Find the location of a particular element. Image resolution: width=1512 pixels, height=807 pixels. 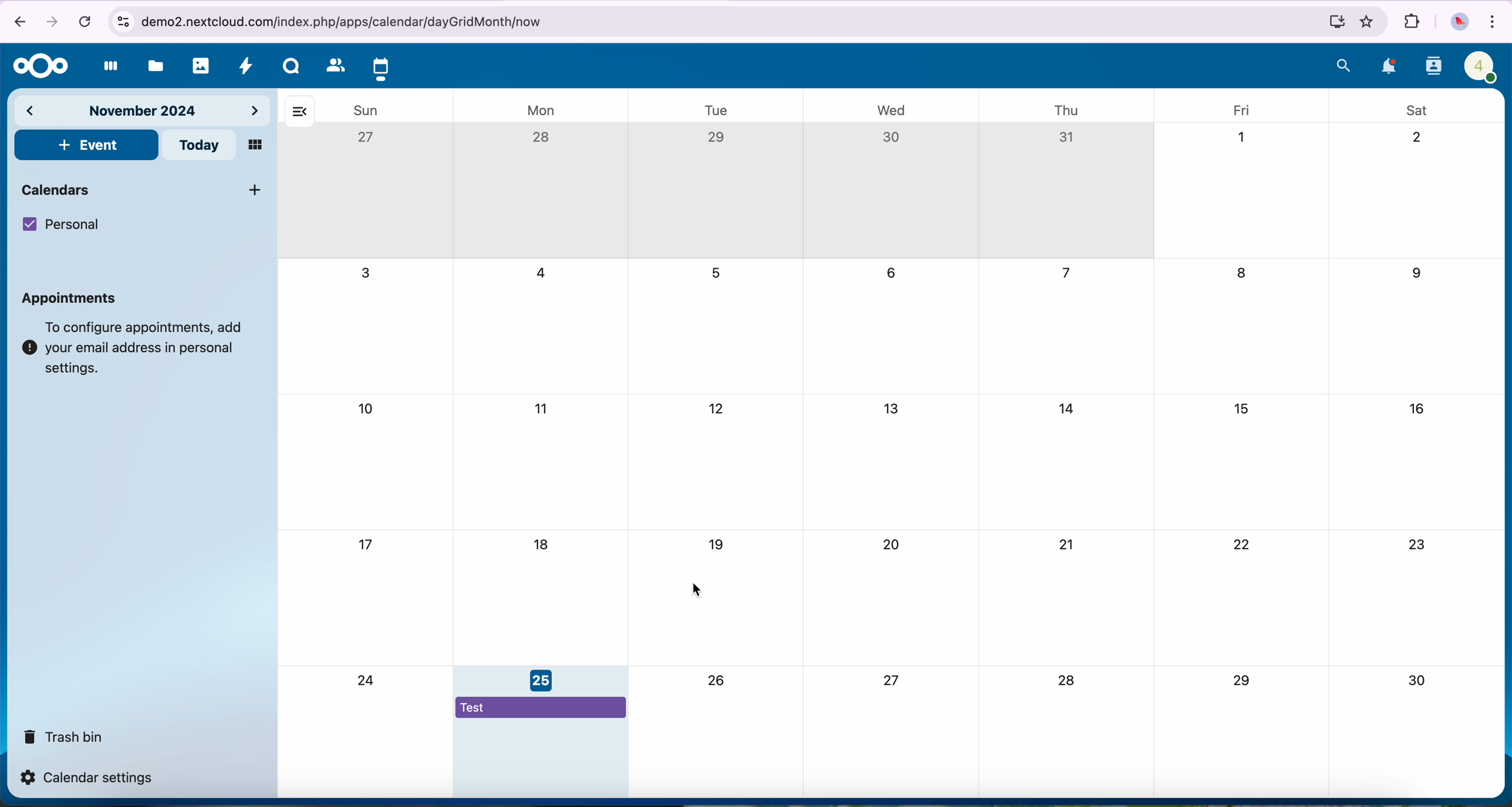

16 is located at coordinates (1419, 408).